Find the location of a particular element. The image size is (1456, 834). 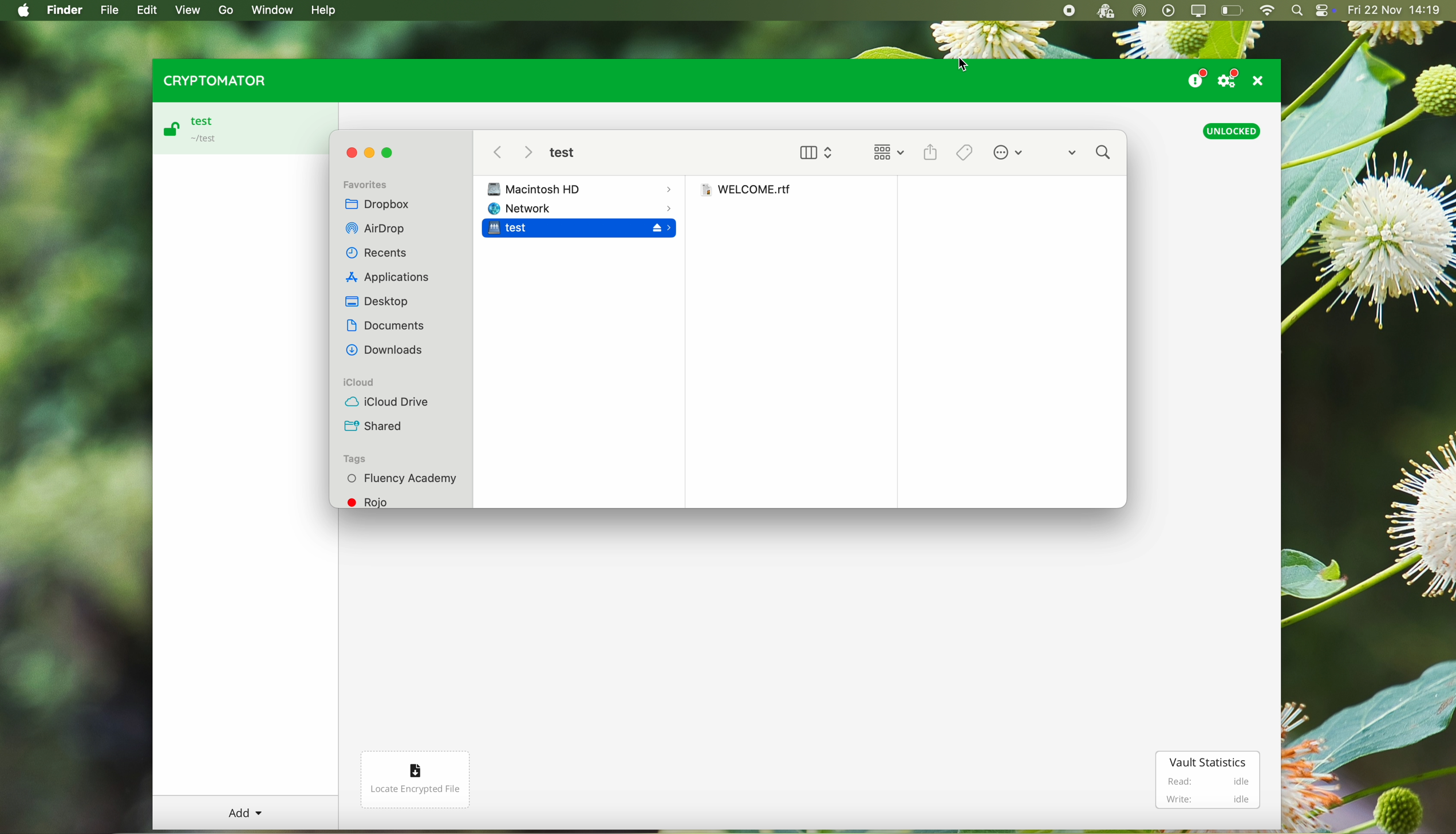

Add is located at coordinates (246, 811).